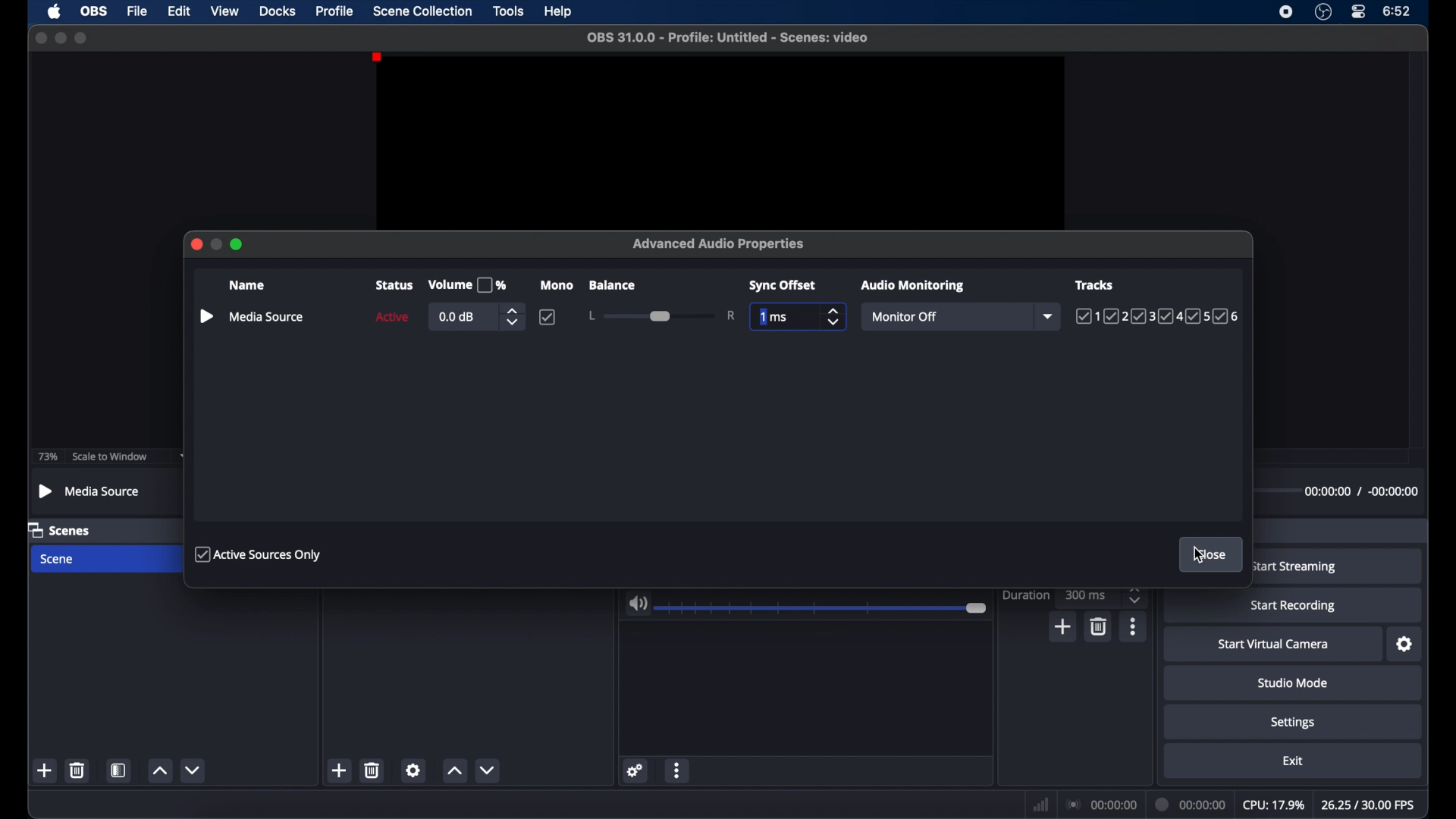 This screenshot has width=1456, height=819. Describe the element at coordinates (1361, 491) in the screenshot. I see `timestamps` at that location.